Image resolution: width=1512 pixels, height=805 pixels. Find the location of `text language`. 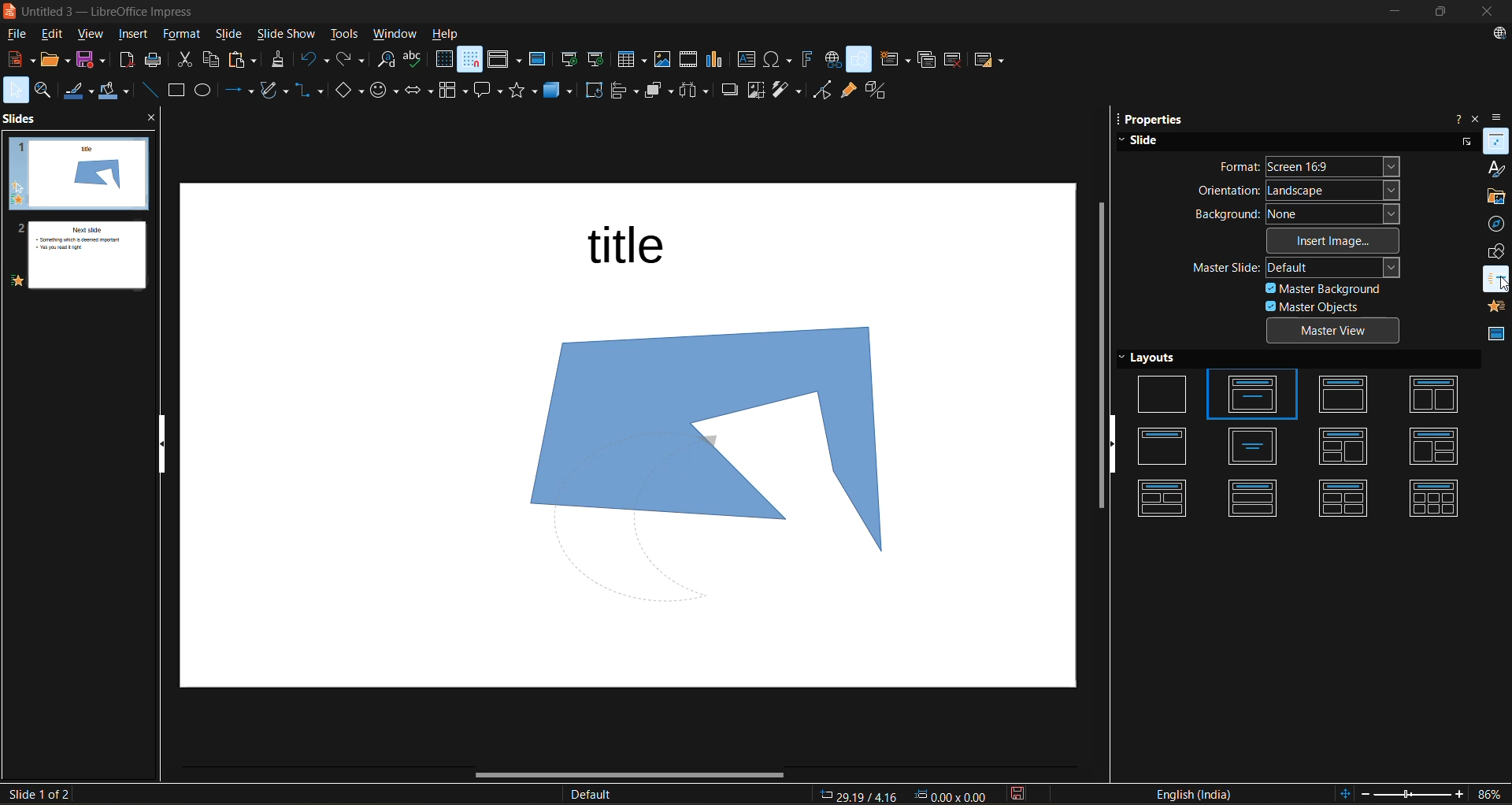

text language is located at coordinates (1199, 795).